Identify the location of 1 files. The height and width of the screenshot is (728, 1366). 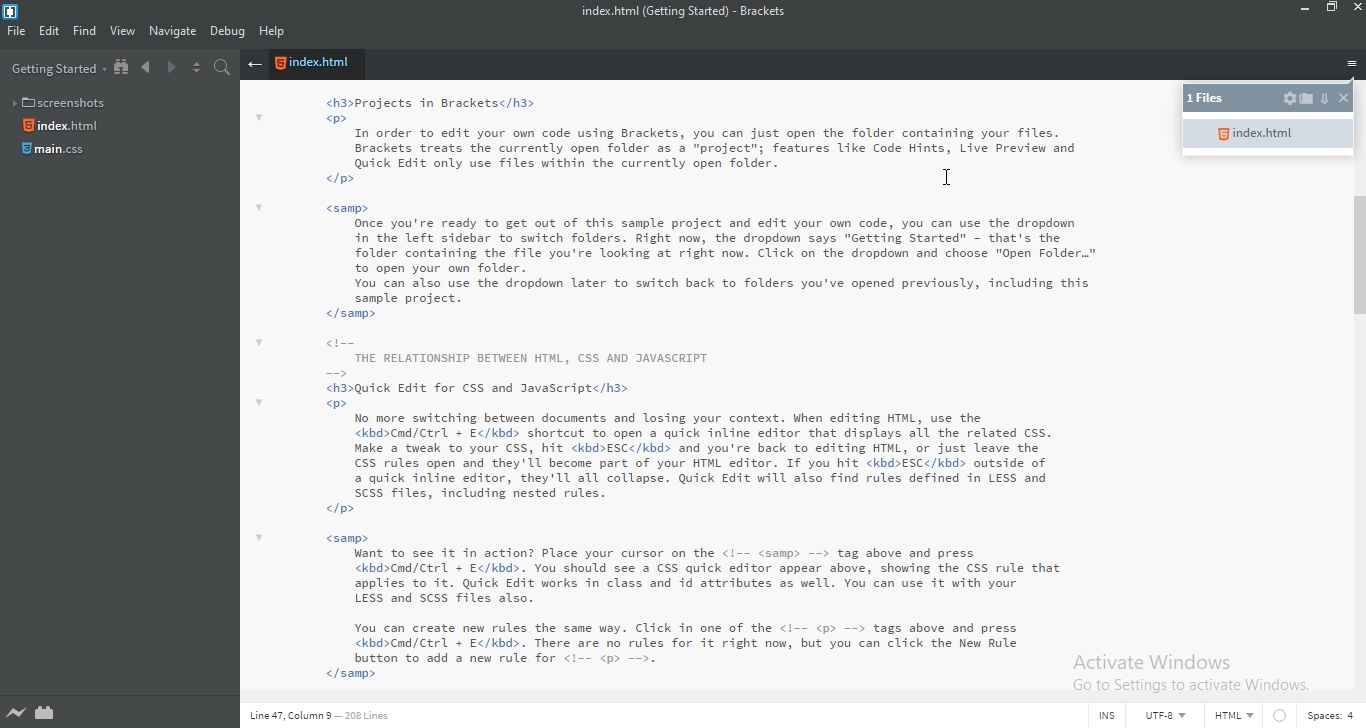
(1211, 98).